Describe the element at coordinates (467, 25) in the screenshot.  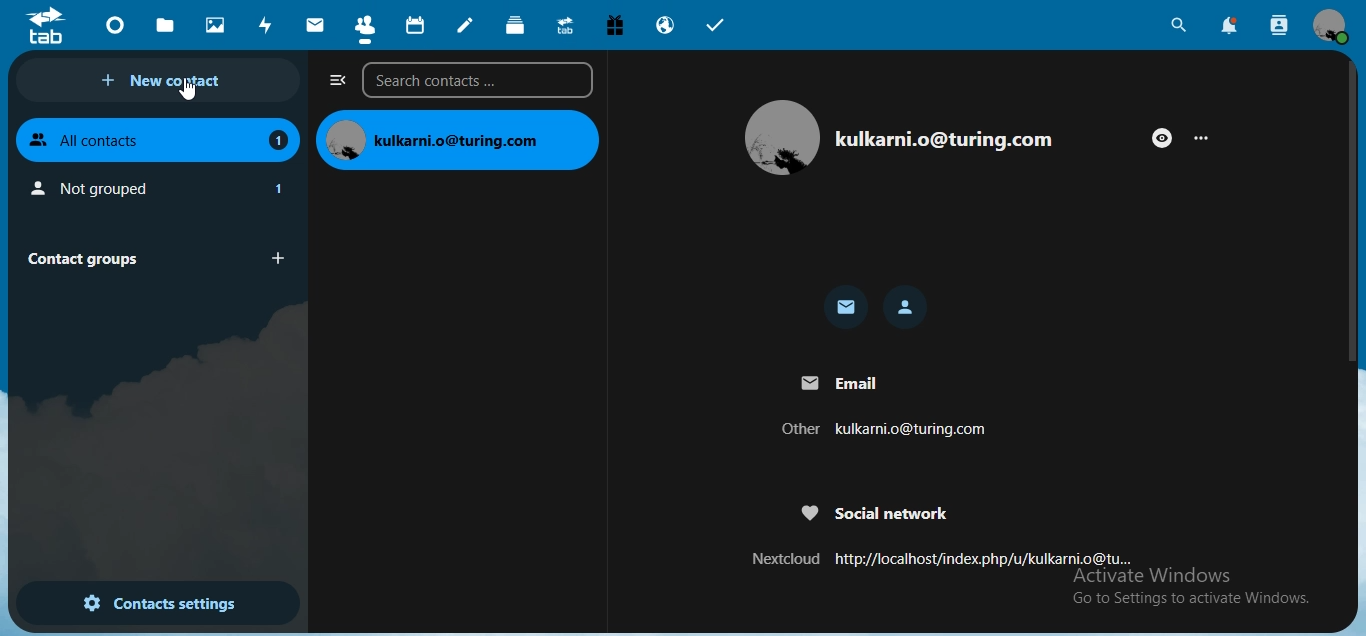
I see `notes` at that location.